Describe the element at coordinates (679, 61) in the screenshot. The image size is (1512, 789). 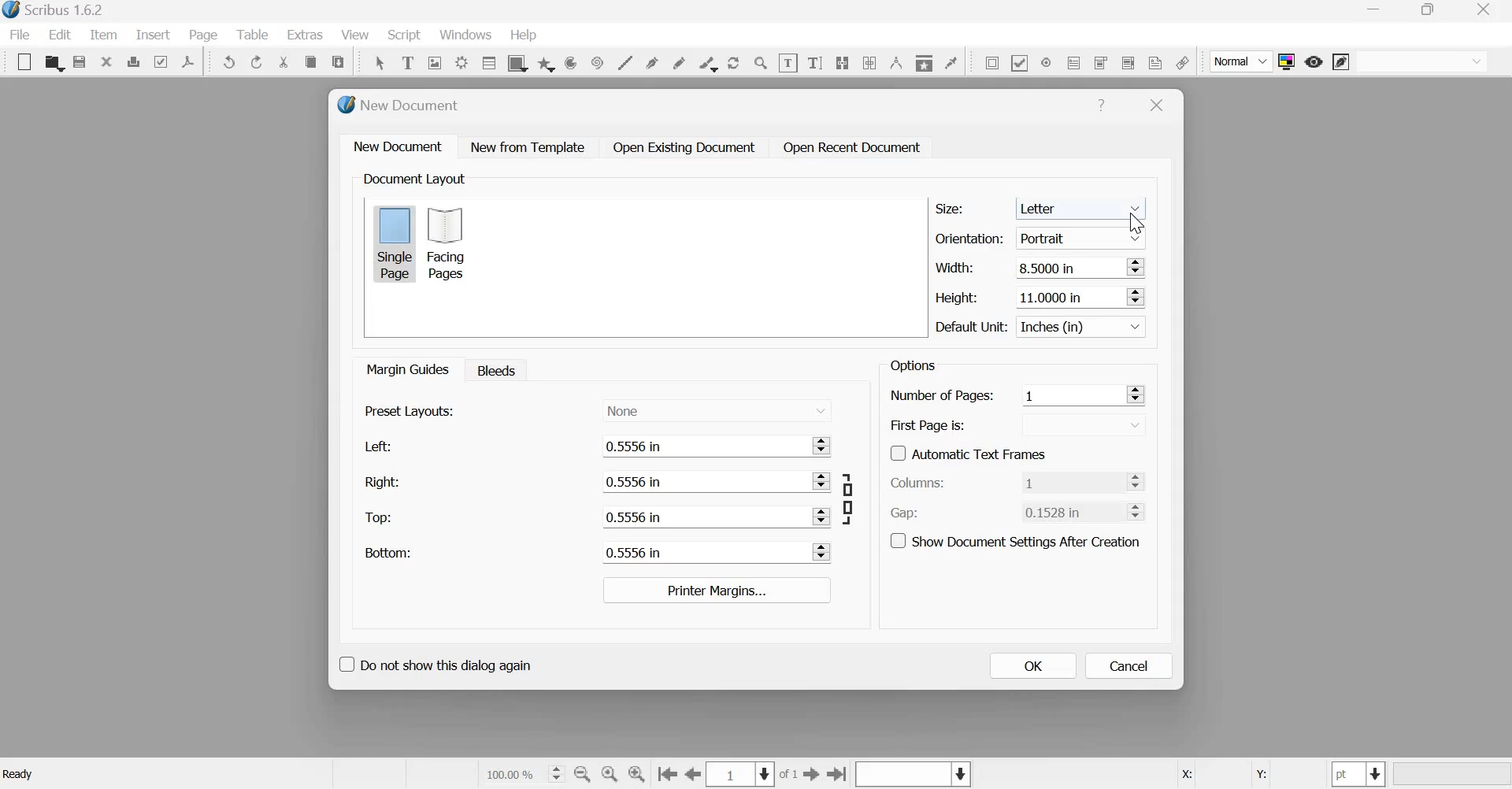
I see `freehand line` at that location.